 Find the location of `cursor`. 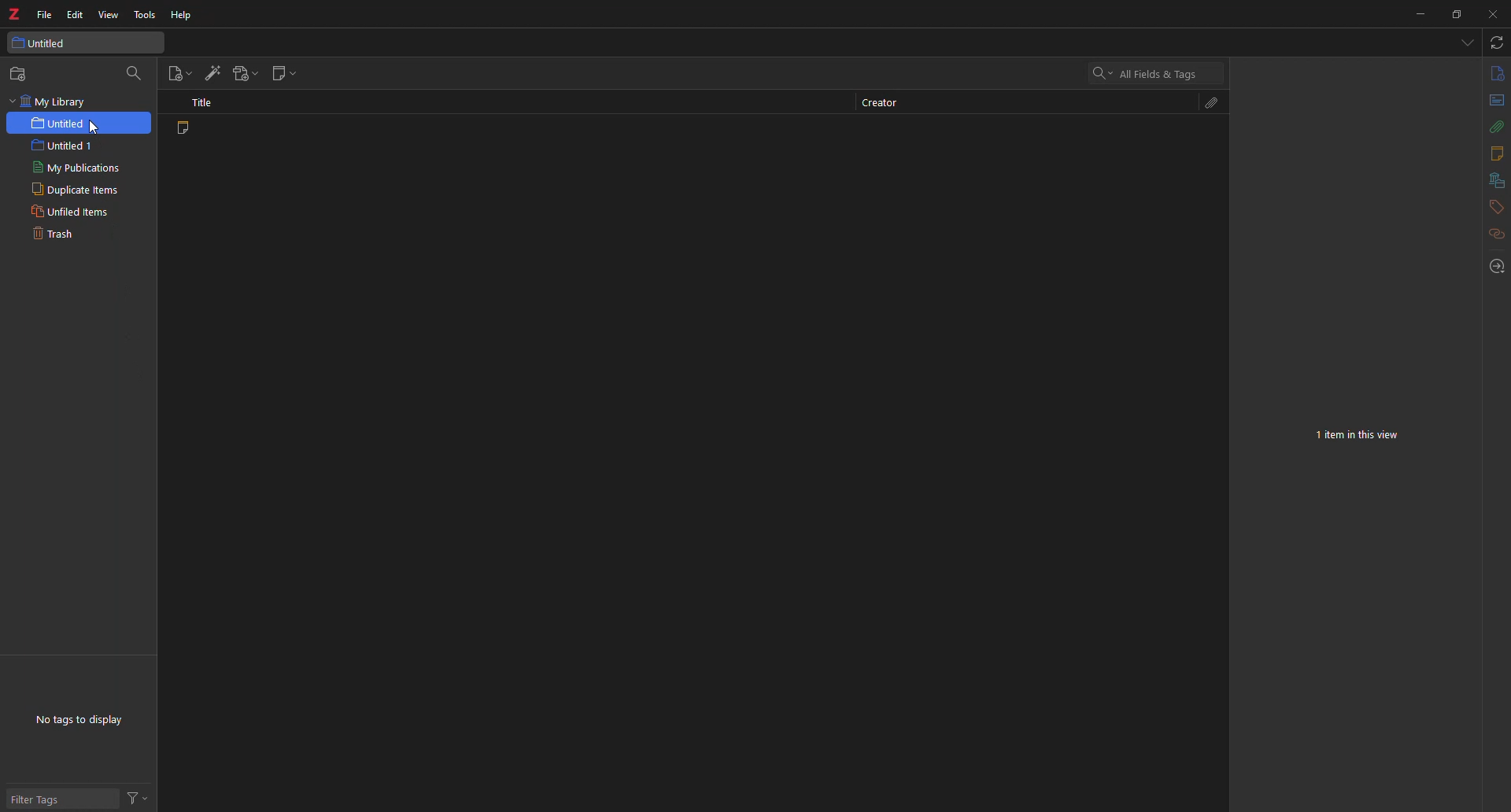

cursor is located at coordinates (93, 125).